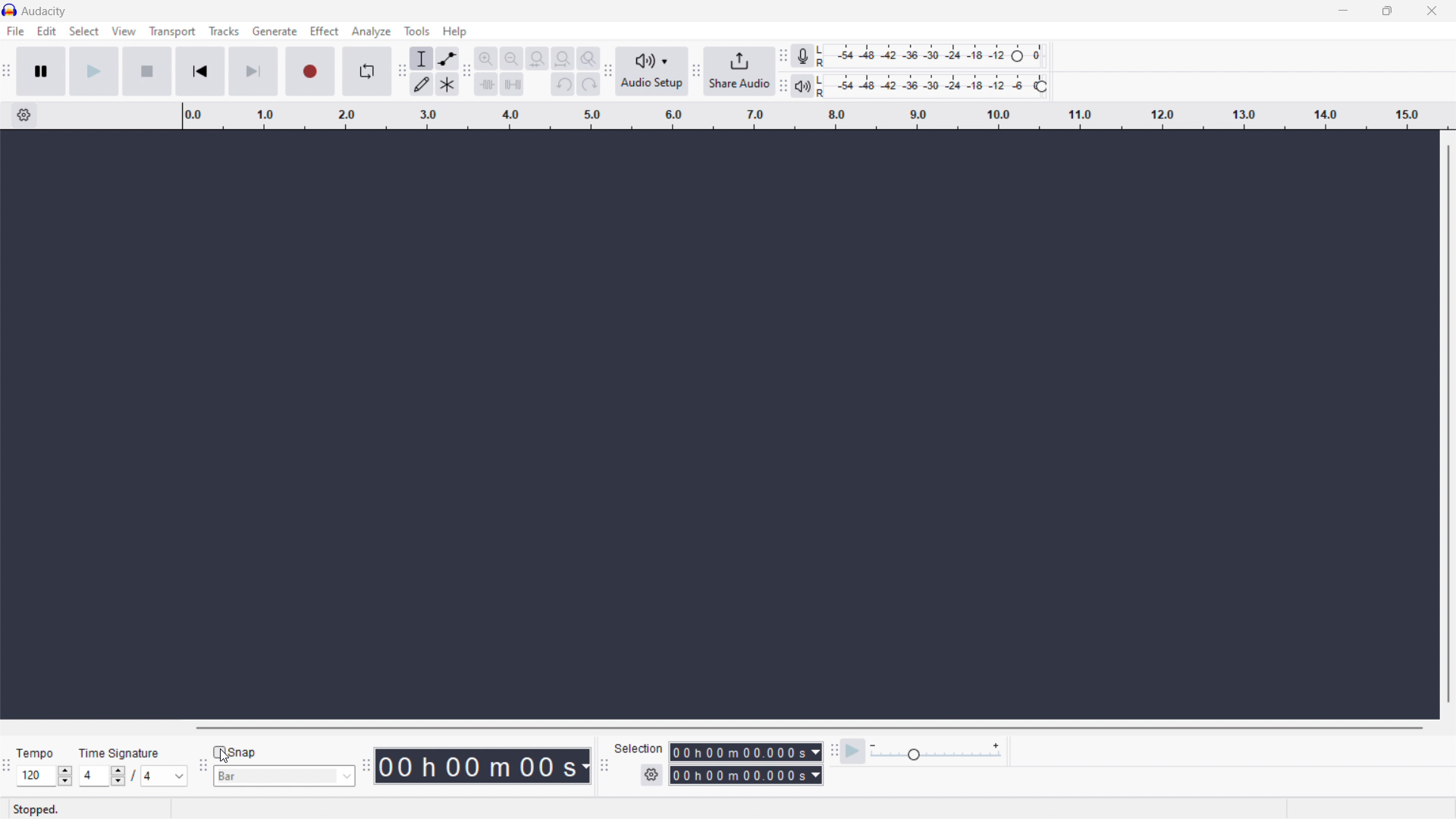 The image size is (1456, 819). What do you see at coordinates (16, 31) in the screenshot?
I see `file` at bounding box center [16, 31].